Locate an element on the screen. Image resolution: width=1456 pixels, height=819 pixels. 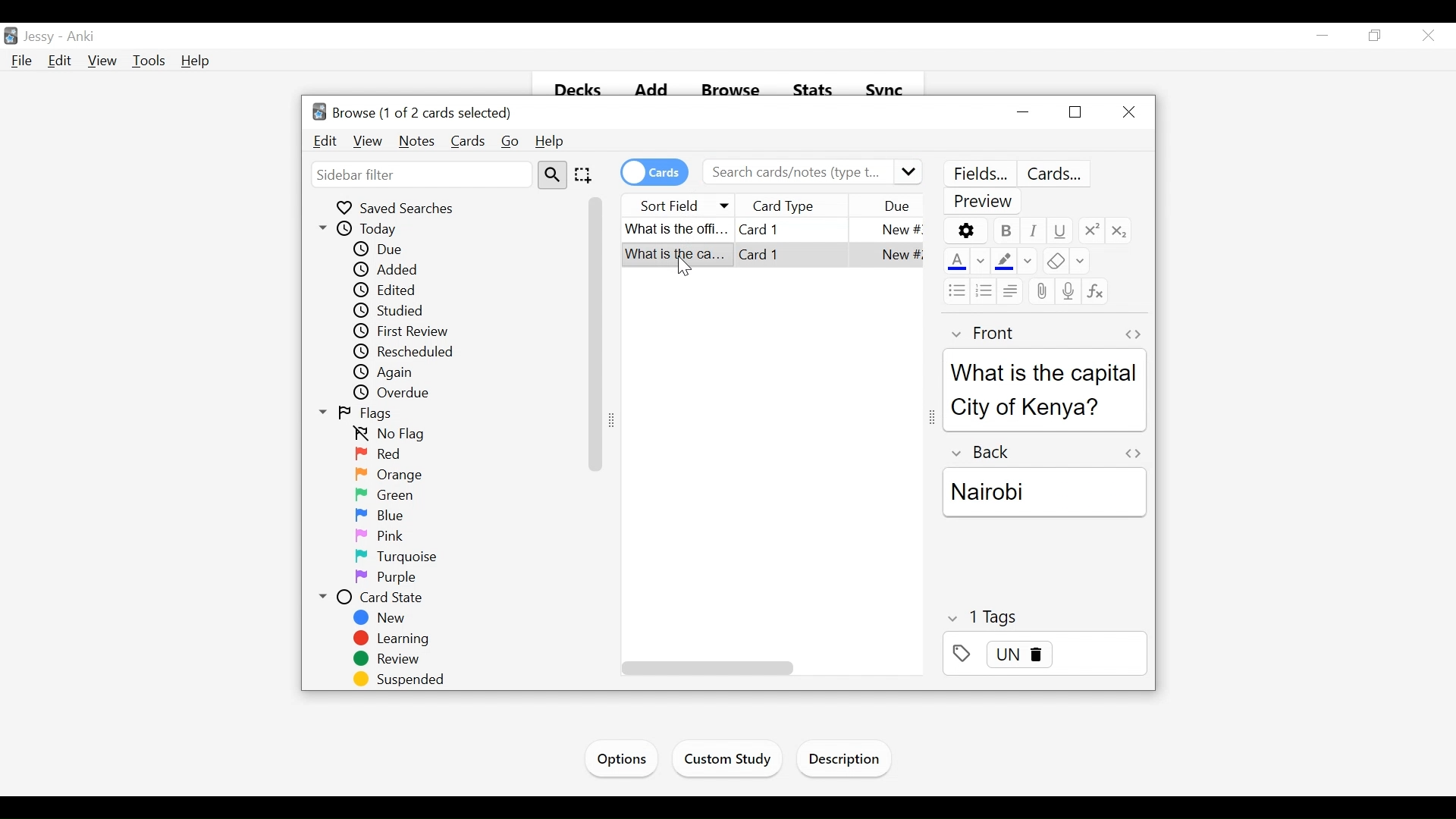
Subscript is located at coordinates (1120, 230).